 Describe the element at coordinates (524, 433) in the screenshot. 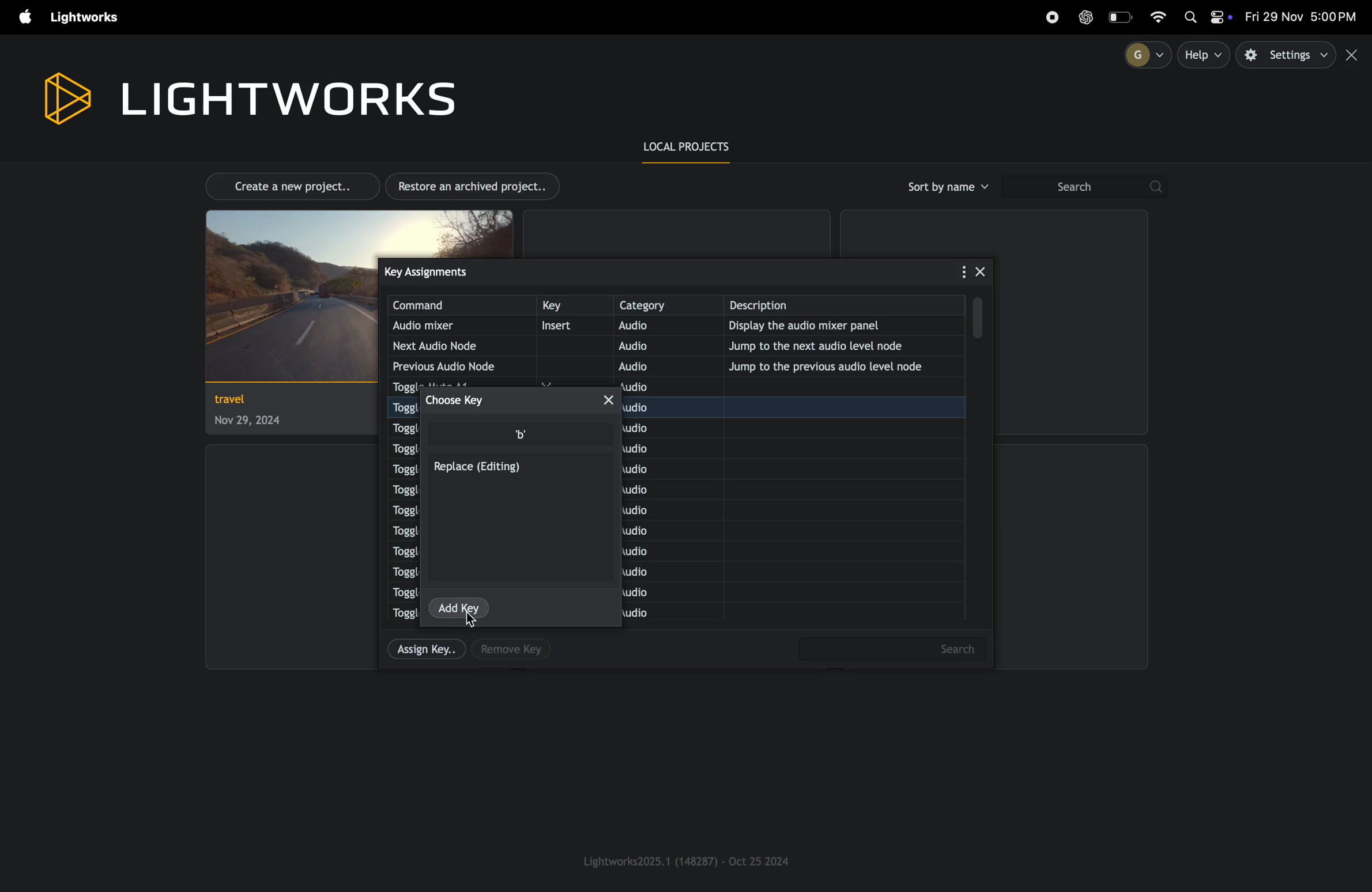

I see `b` at that location.